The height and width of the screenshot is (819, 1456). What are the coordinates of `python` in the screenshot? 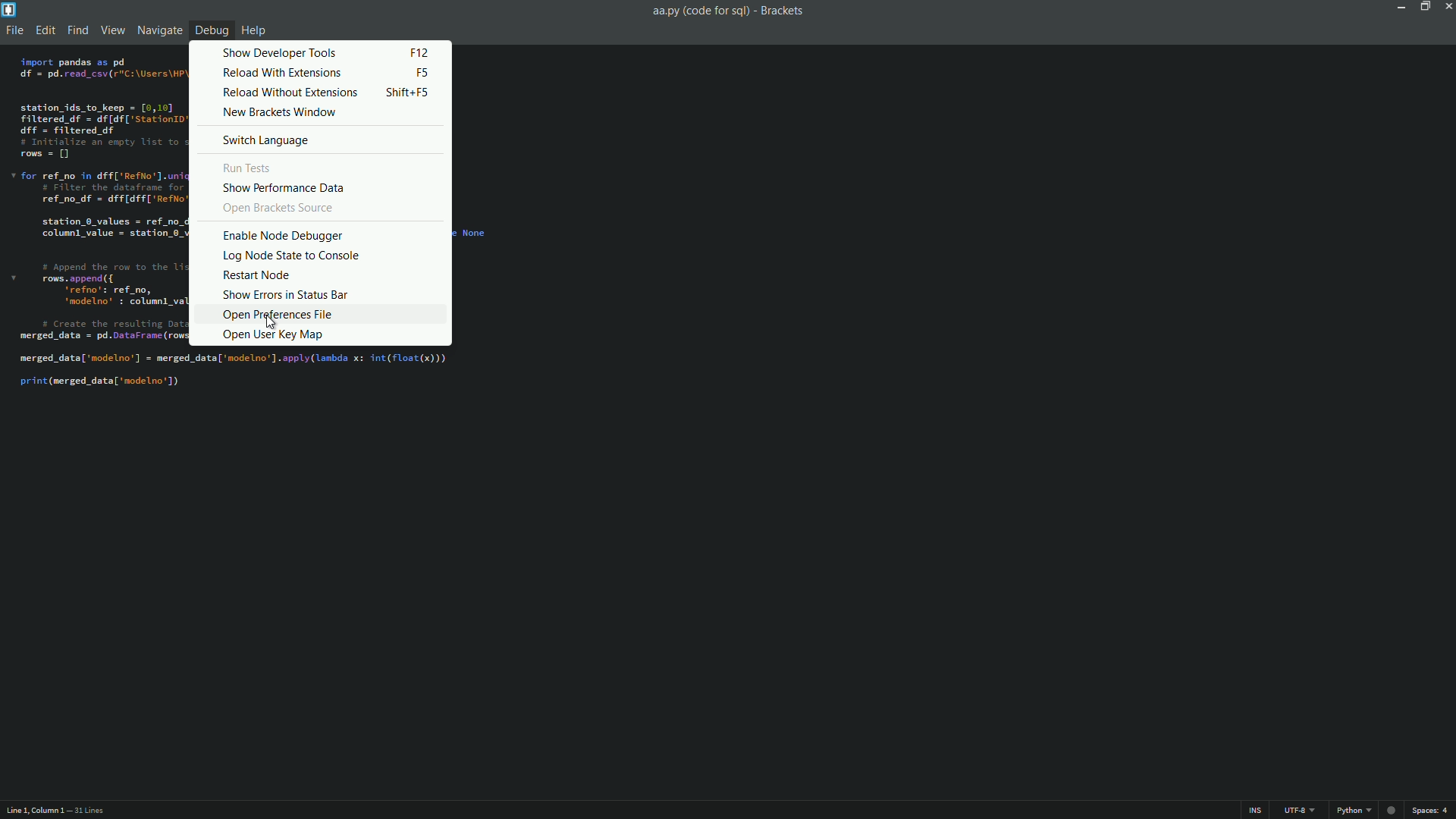 It's located at (1354, 810).